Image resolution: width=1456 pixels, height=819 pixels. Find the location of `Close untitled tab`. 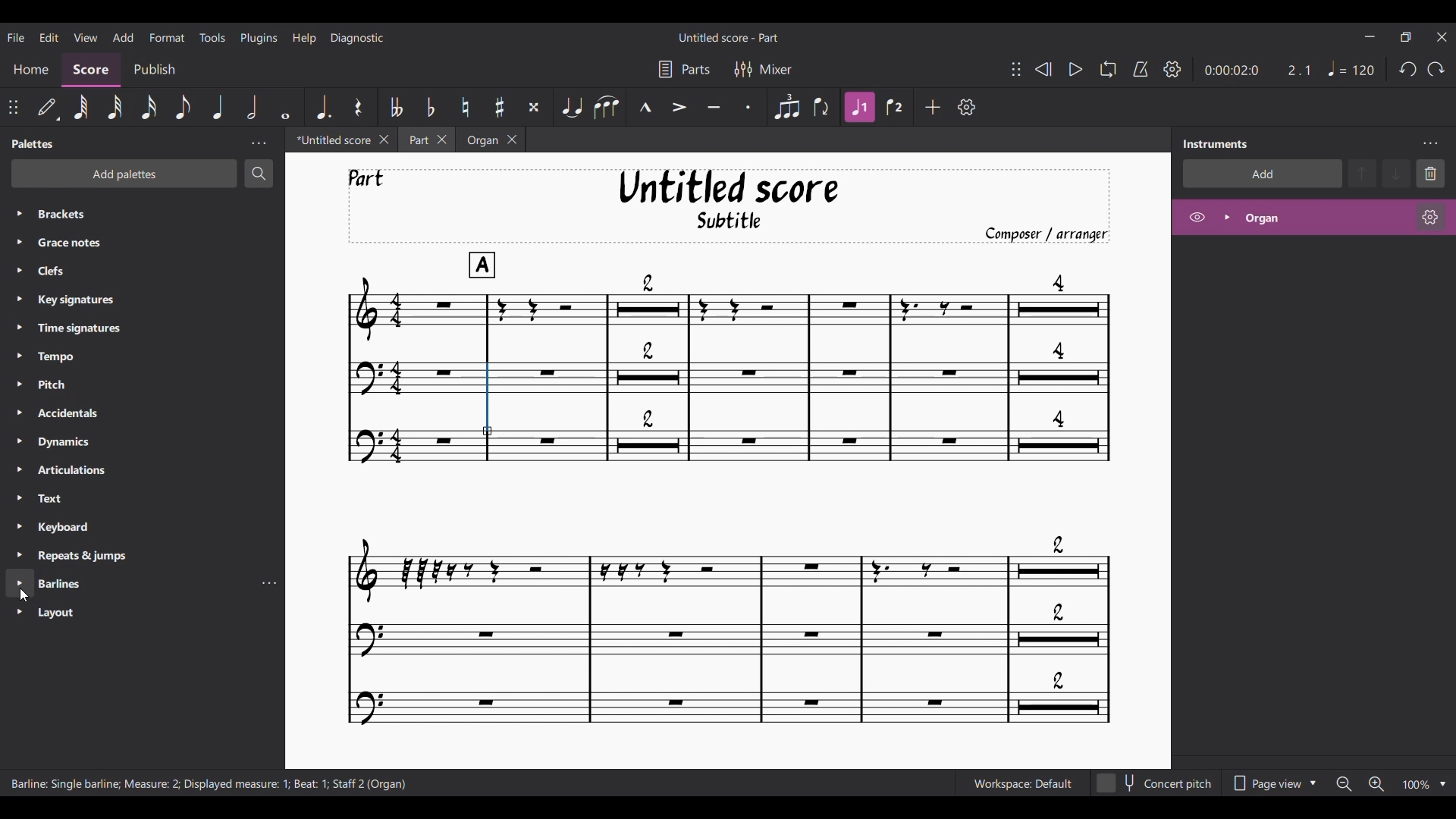

Close untitled tab is located at coordinates (384, 140).